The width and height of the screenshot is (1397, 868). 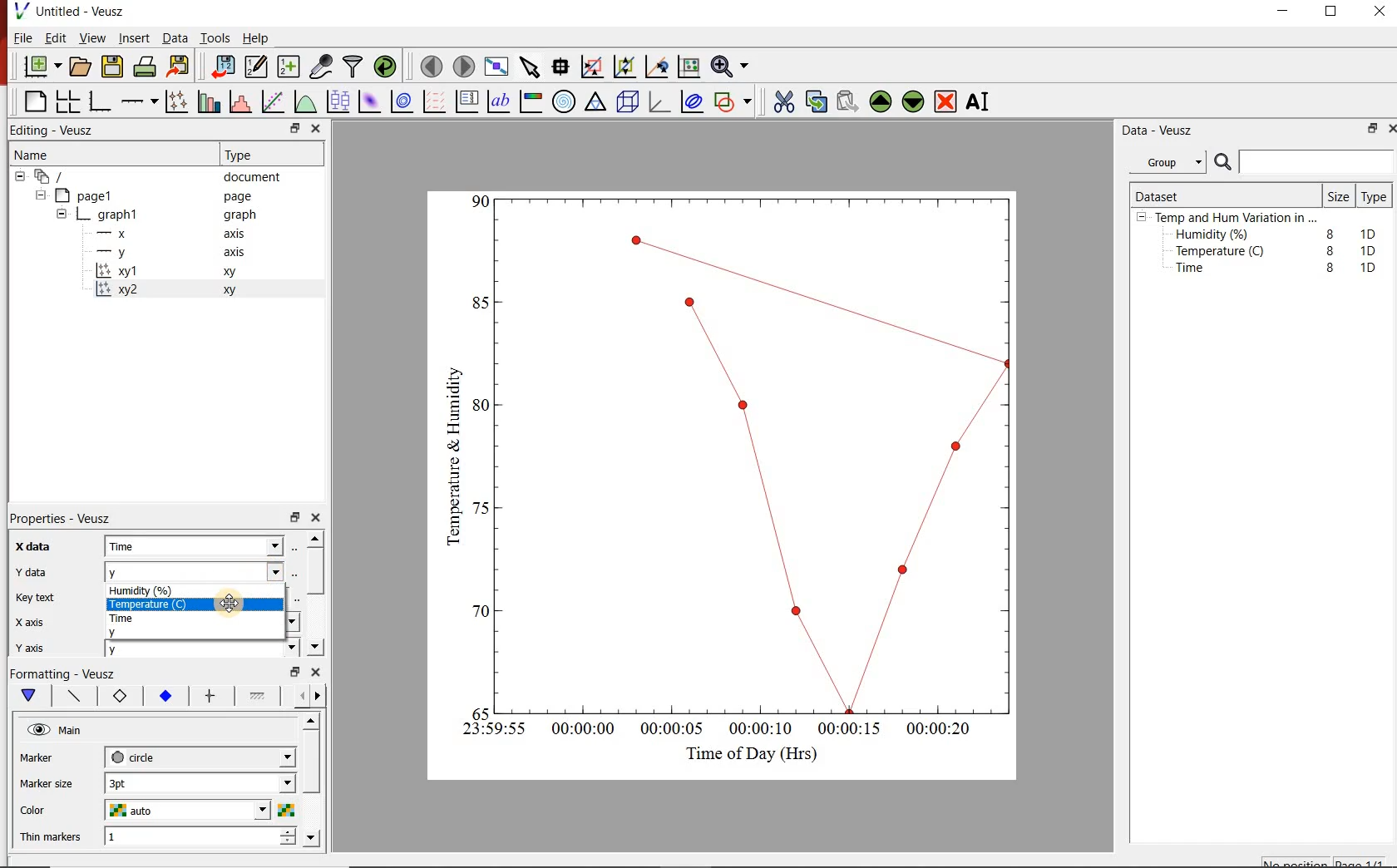 What do you see at coordinates (259, 697) in the screenshot?
I see `fill 1` at bounding box center [259, 697].